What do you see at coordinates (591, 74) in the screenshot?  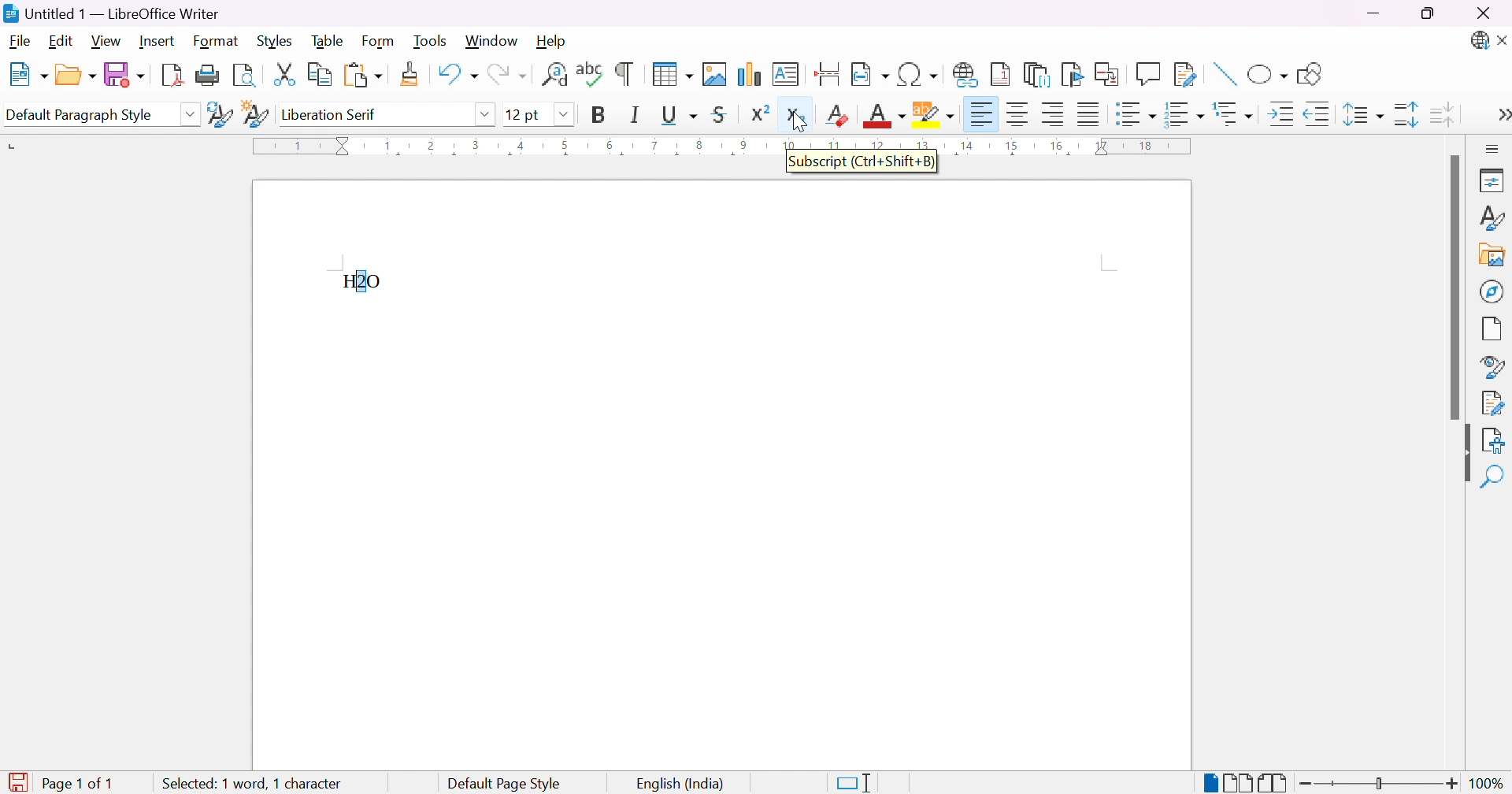 I see `Check spelling` at bounding box center [591, 74].